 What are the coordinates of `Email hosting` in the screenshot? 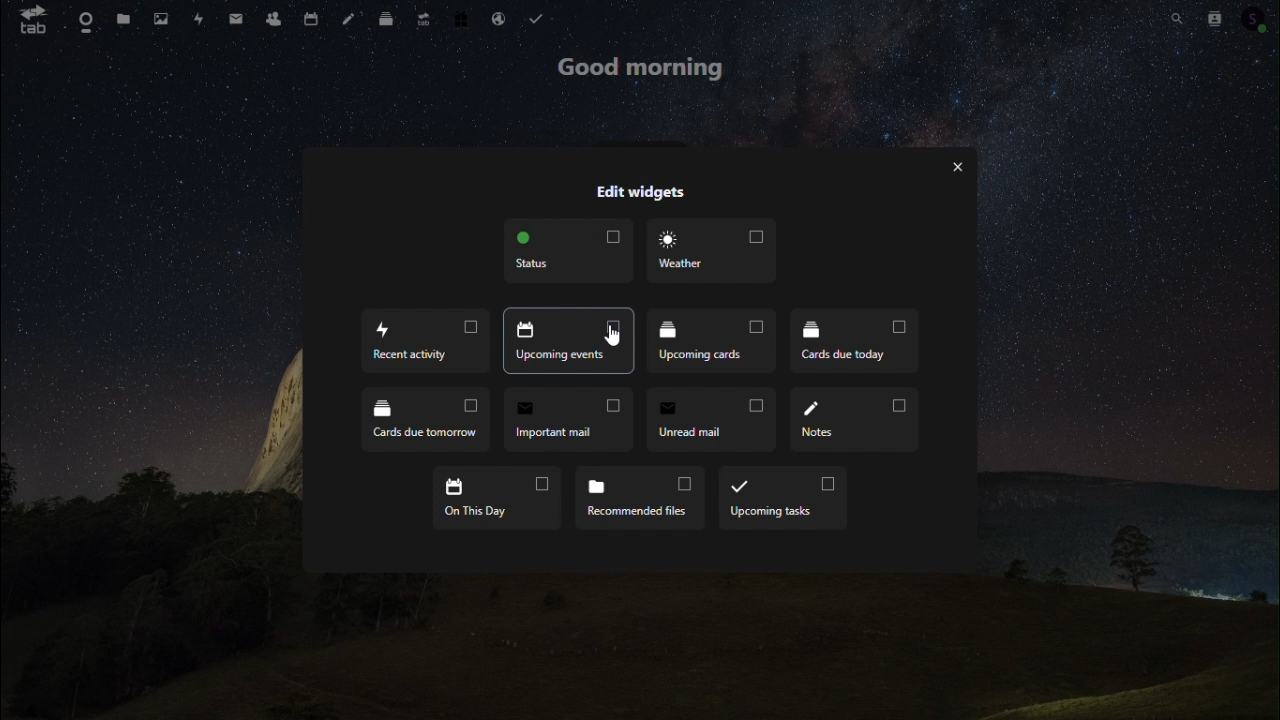 It's located at (499, 18).